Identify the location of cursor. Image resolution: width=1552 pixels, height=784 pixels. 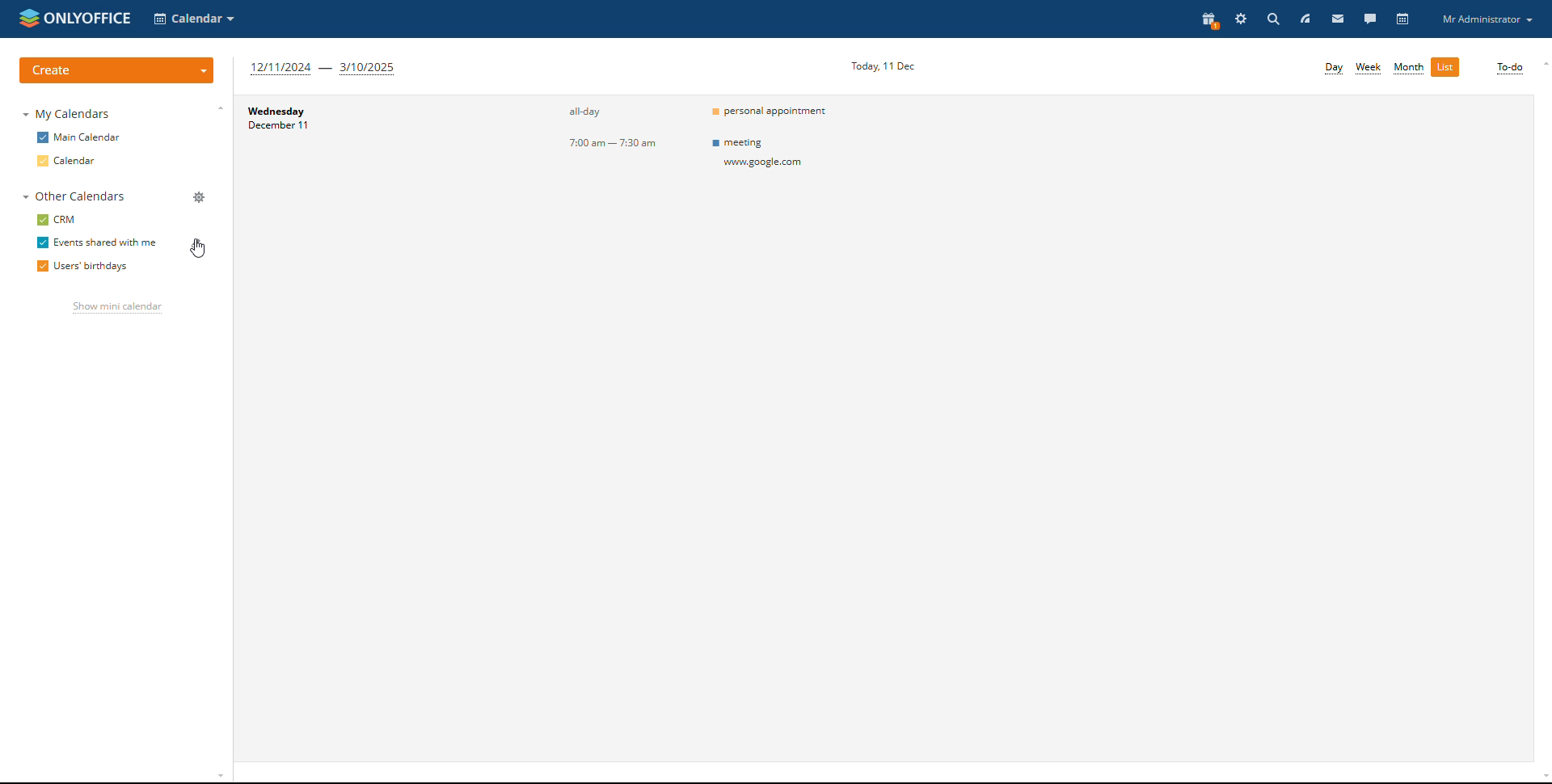
(198, 249).